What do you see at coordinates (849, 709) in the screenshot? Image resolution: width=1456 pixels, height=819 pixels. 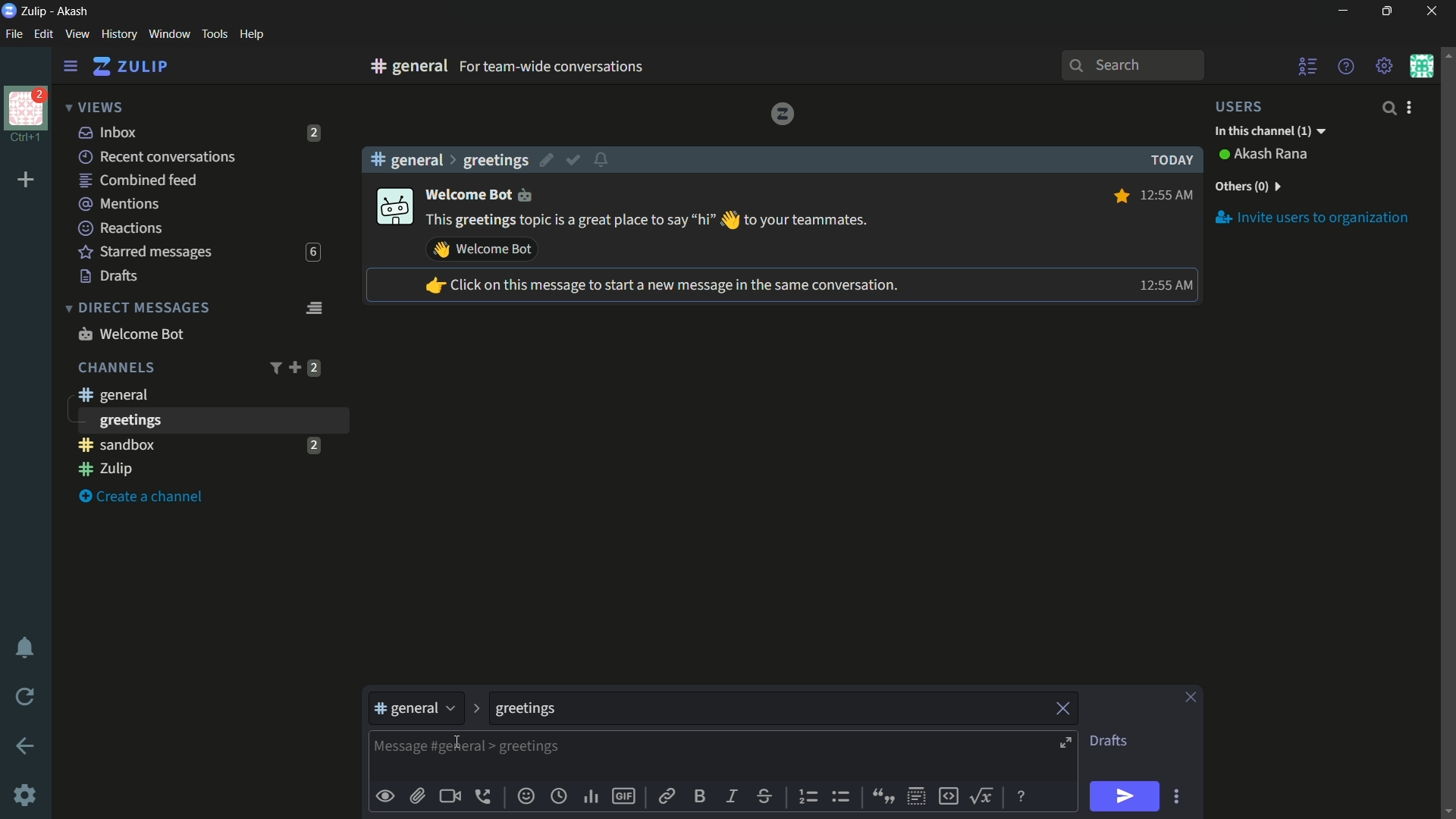 I see `topic` at bounding box center [849, 709].